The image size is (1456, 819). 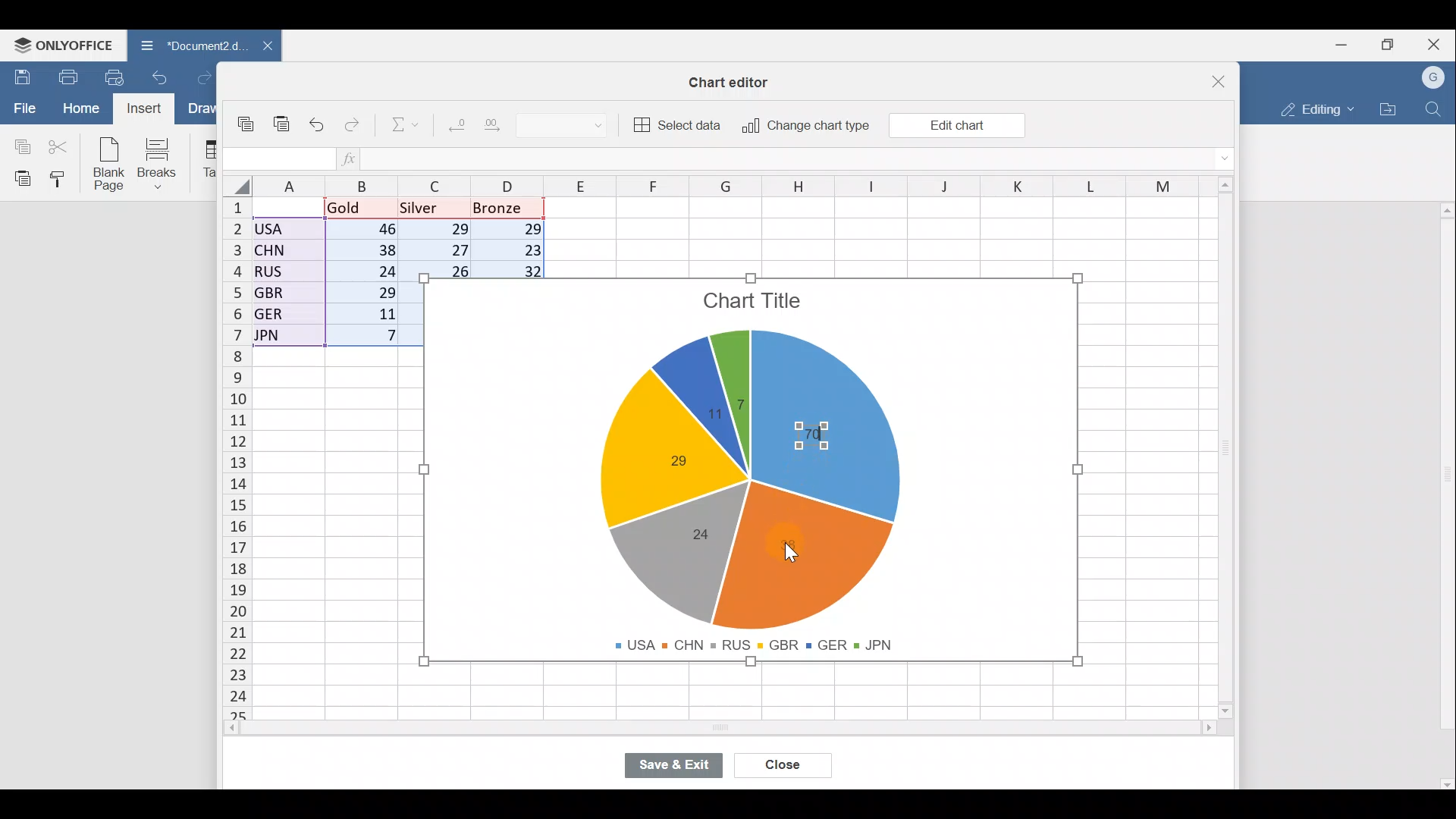 What do you see at coordinates (265, 47) in the screenshot?
I see `Close document` at bounding box center [265, 47].